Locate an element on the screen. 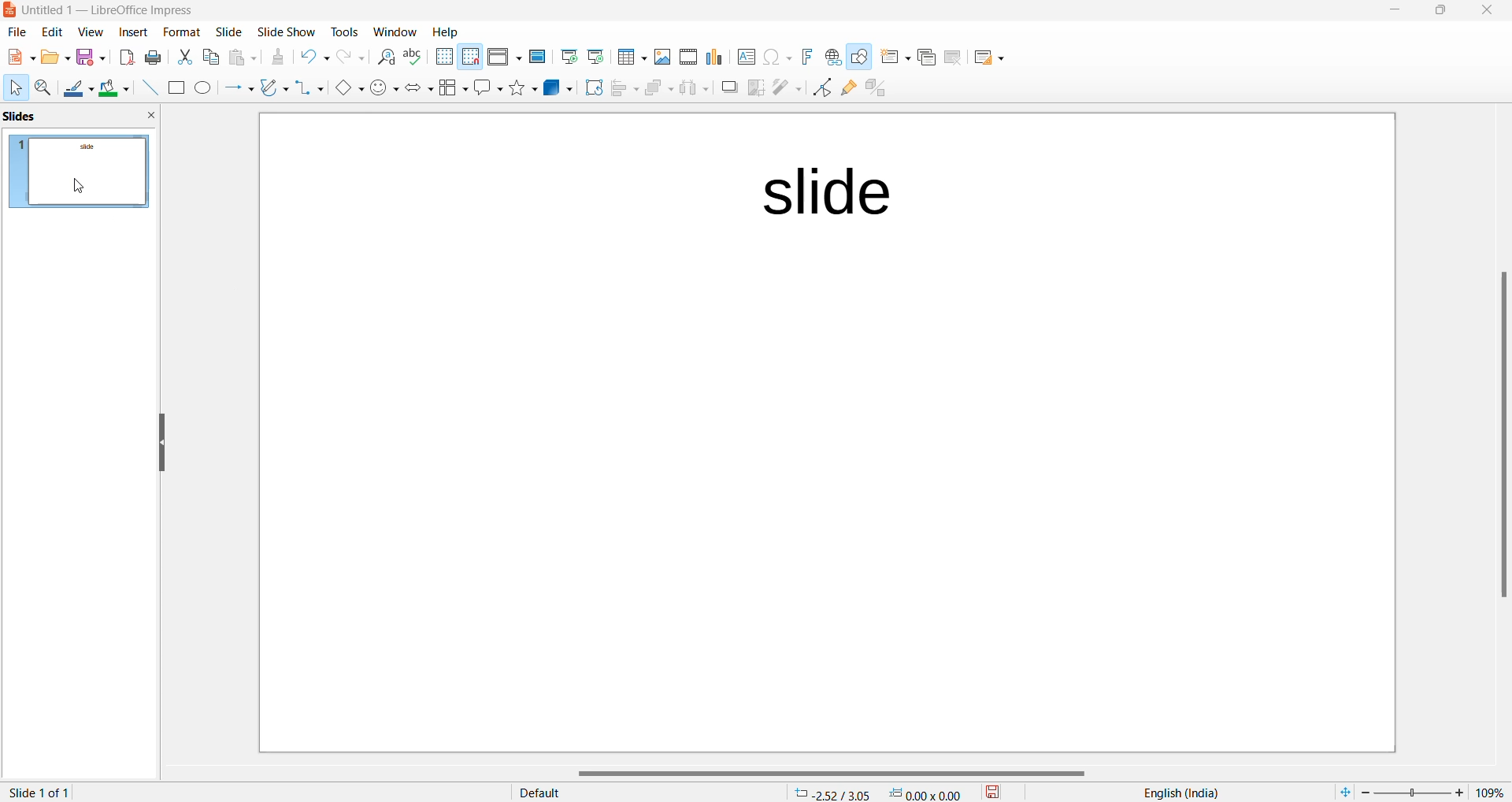 This screenshot has width=1512, height=802. flow chart  is located at coordinates (454, 87).